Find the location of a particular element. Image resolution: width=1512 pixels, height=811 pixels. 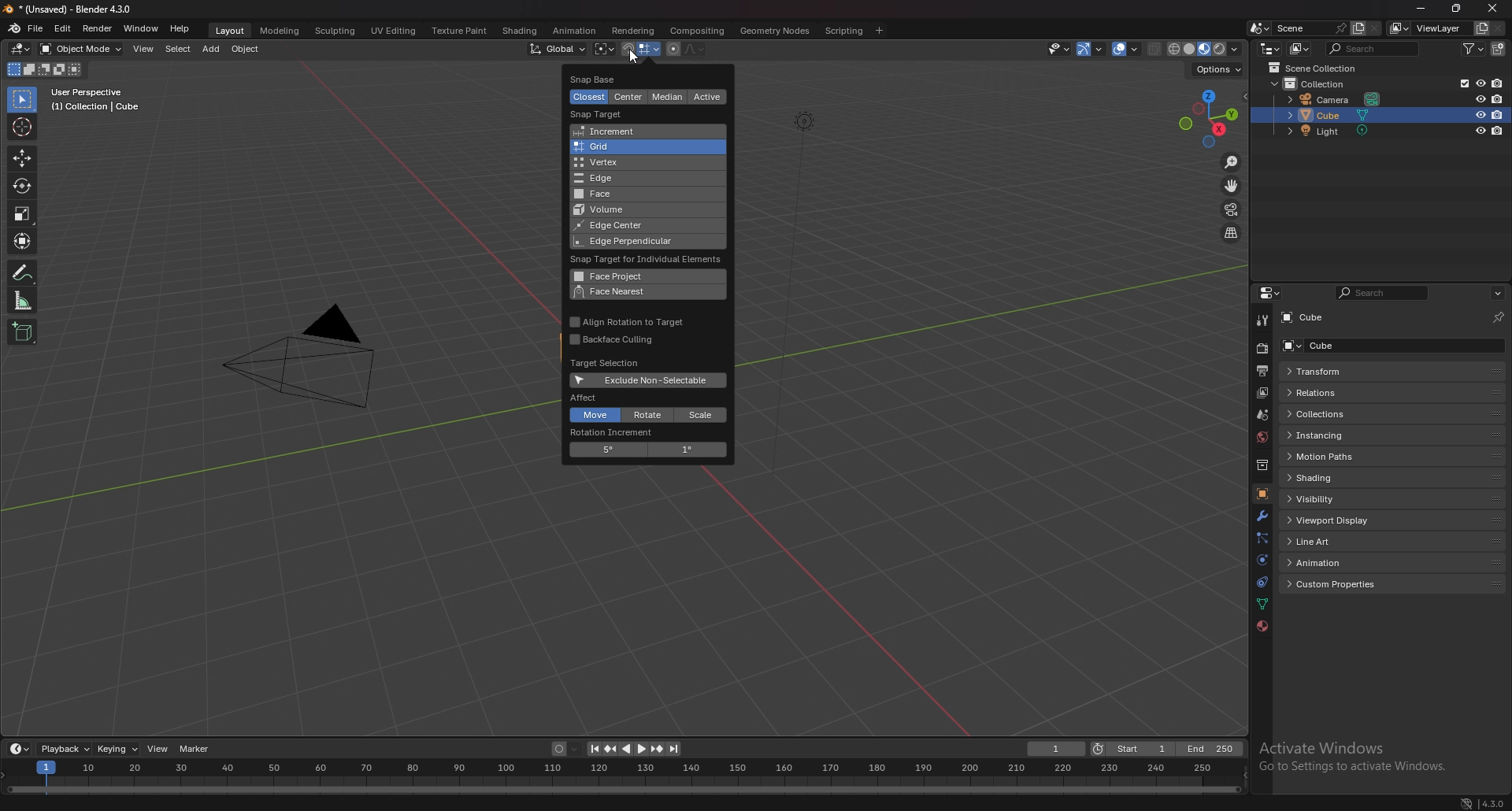

scale is located at coordinates (23, 213).